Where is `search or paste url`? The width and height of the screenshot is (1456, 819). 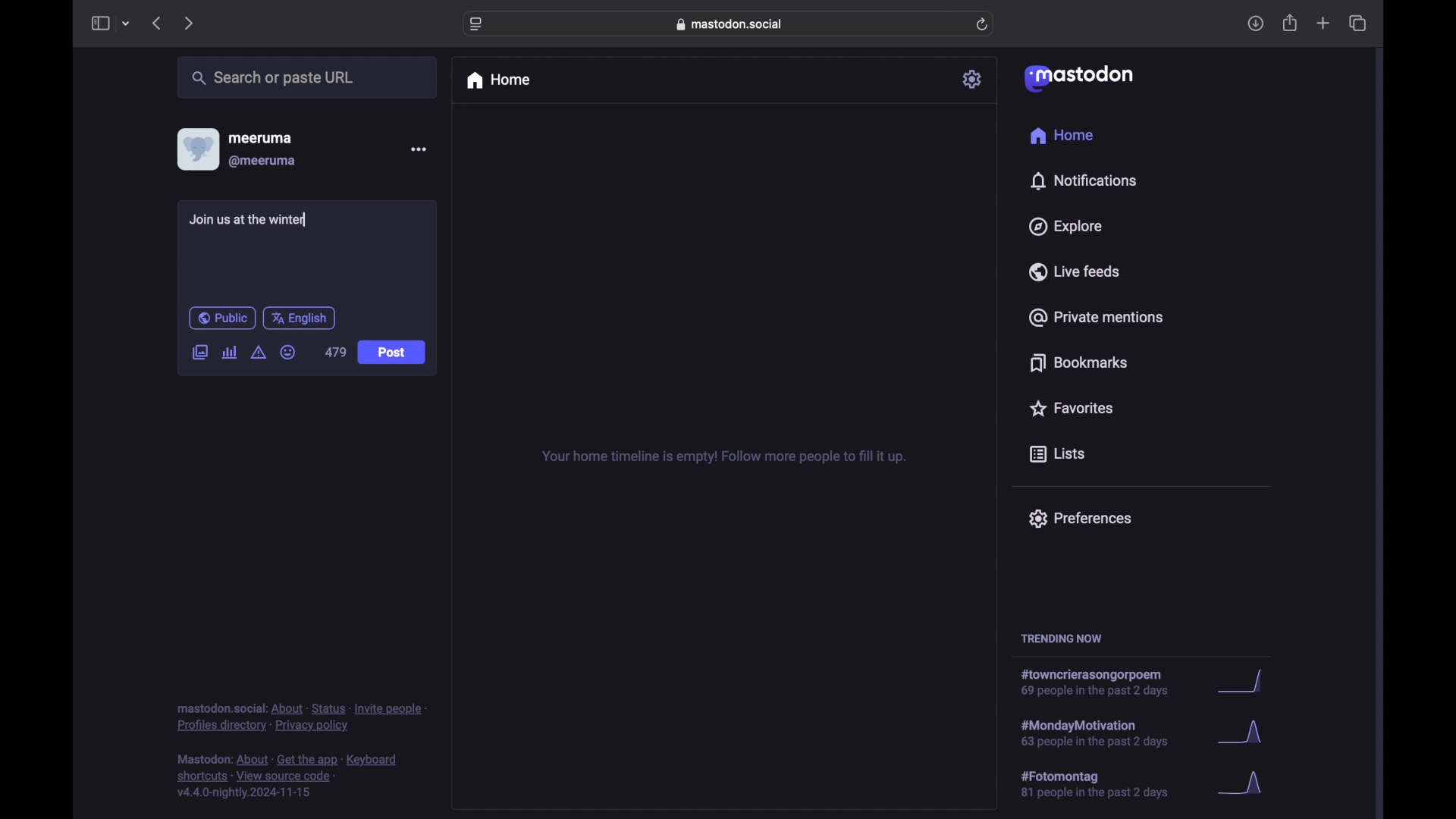
search or paste url is located at coordinates (272, 78).